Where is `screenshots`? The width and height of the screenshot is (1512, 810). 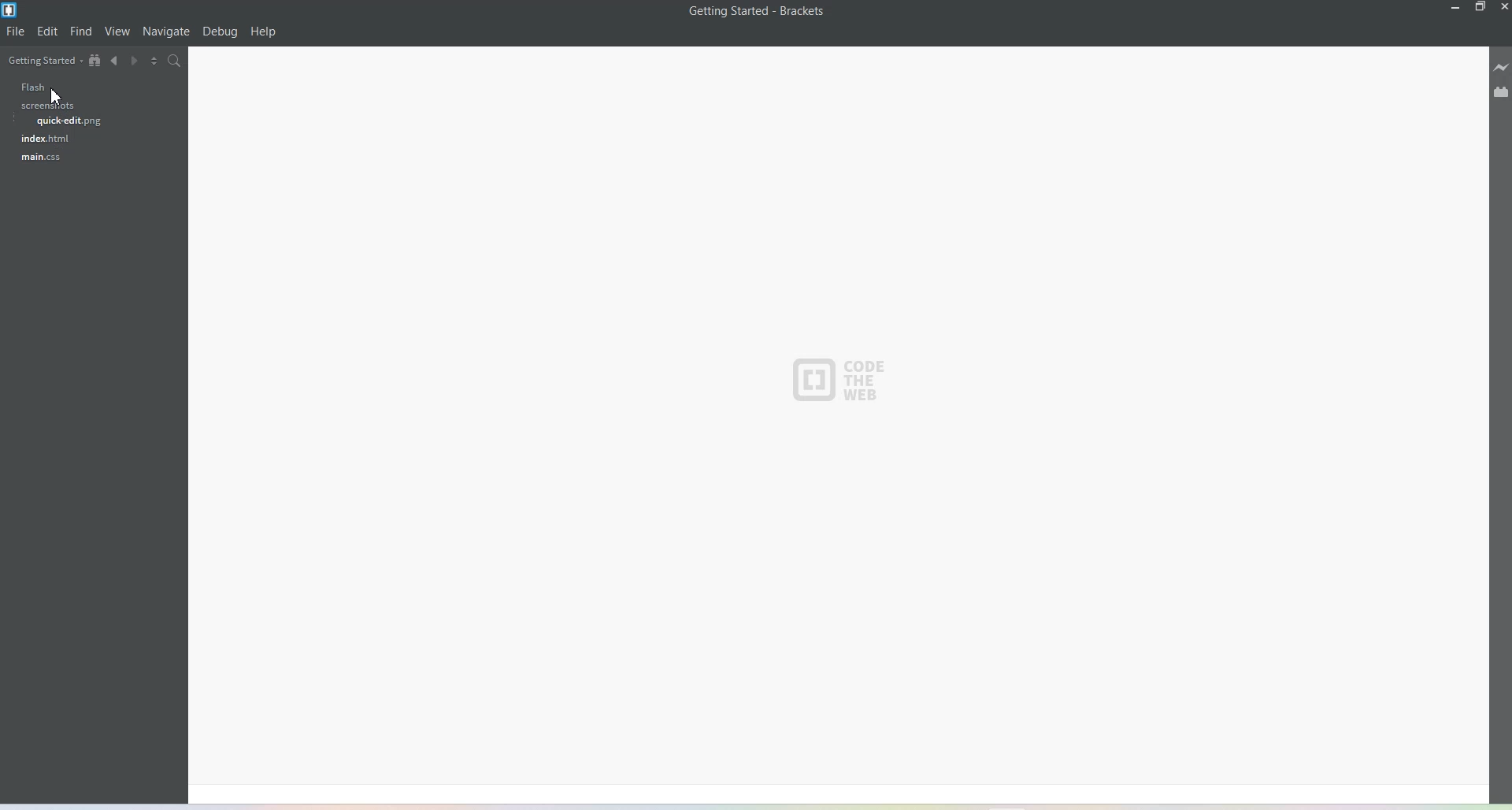
screenshots is located at coordinates (46, 107).